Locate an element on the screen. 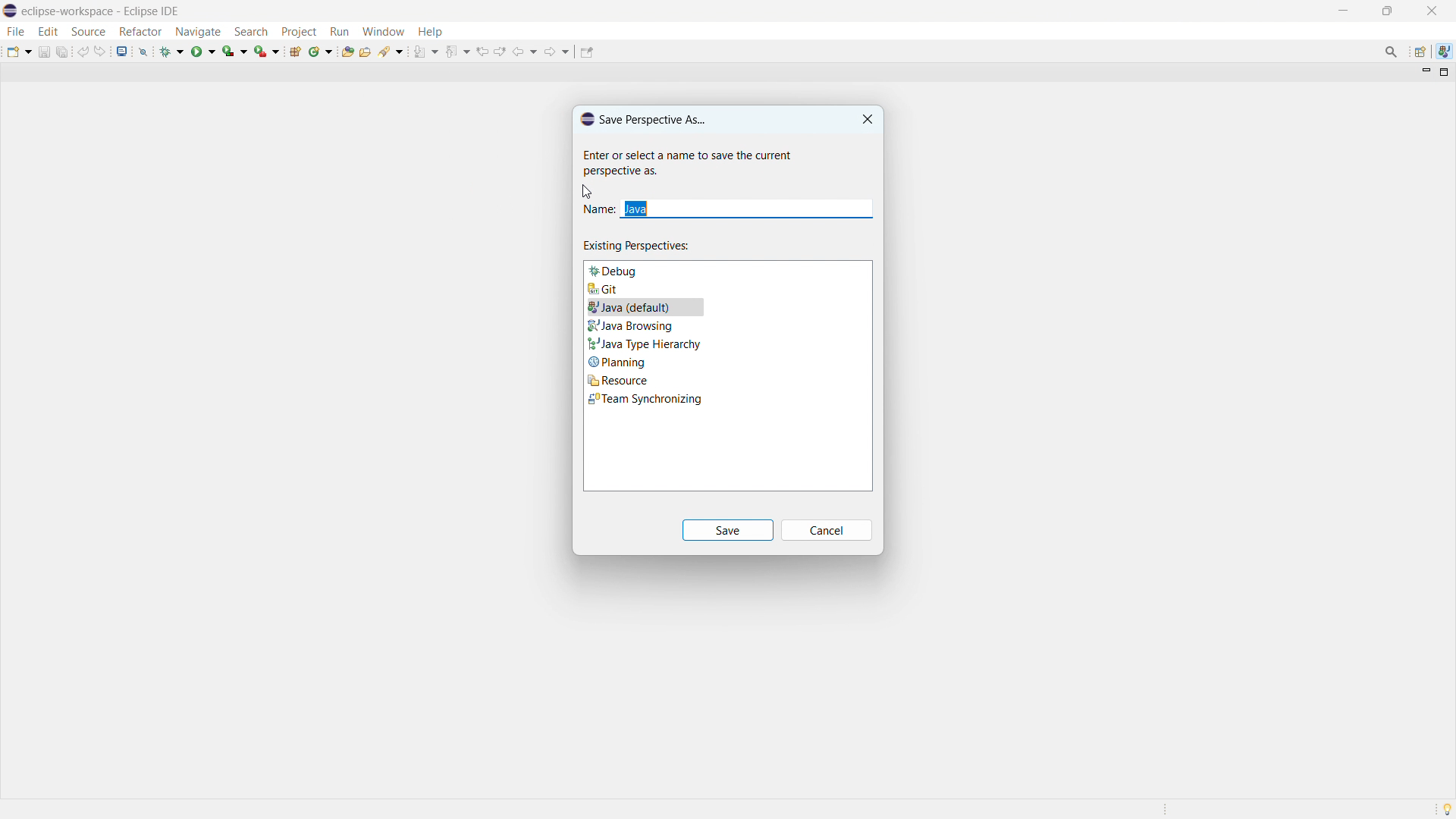  new java class is located at coordinates (322, 52).